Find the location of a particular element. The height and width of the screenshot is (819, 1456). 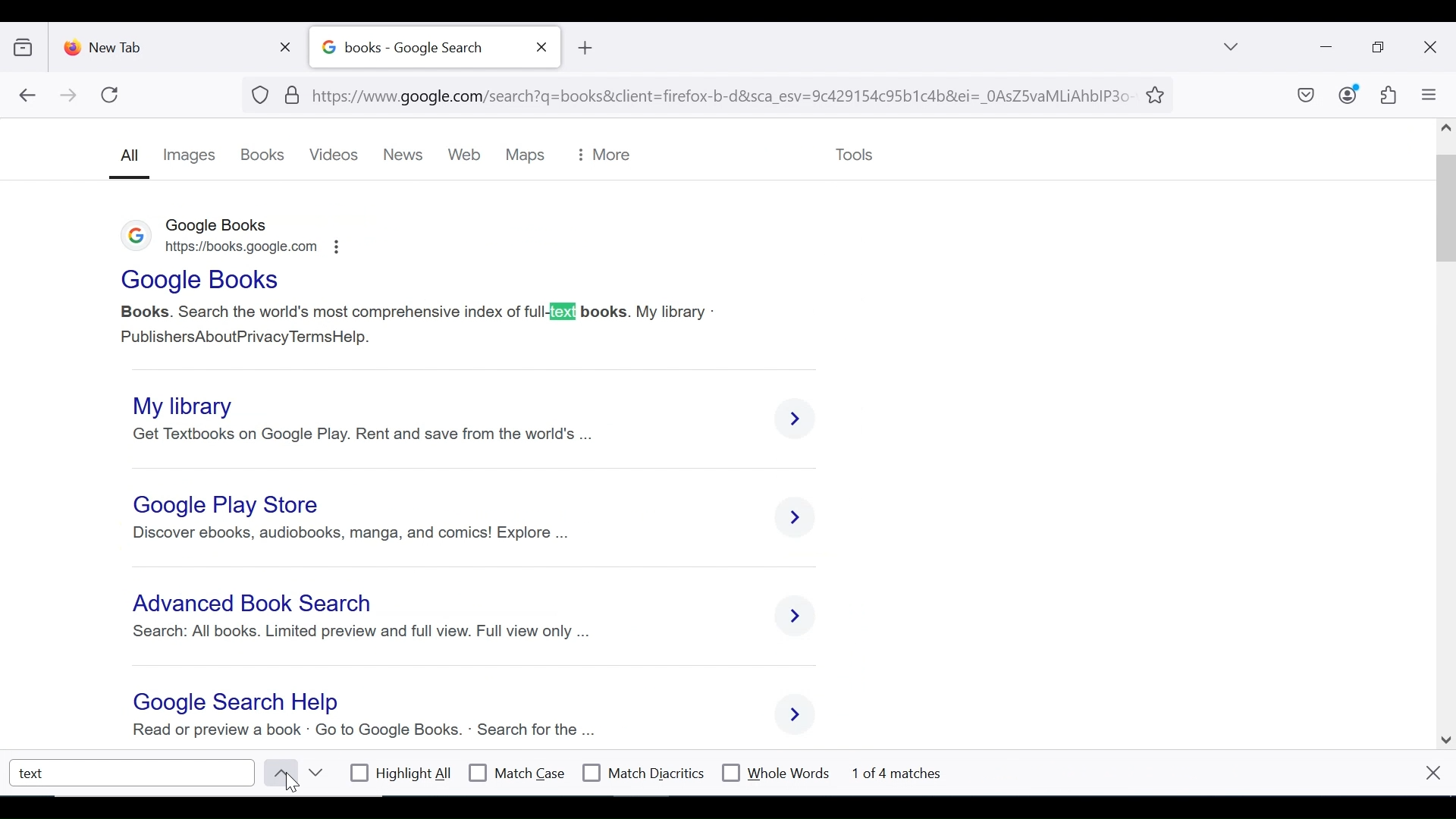

close window is located at coordinates (1431, 48).